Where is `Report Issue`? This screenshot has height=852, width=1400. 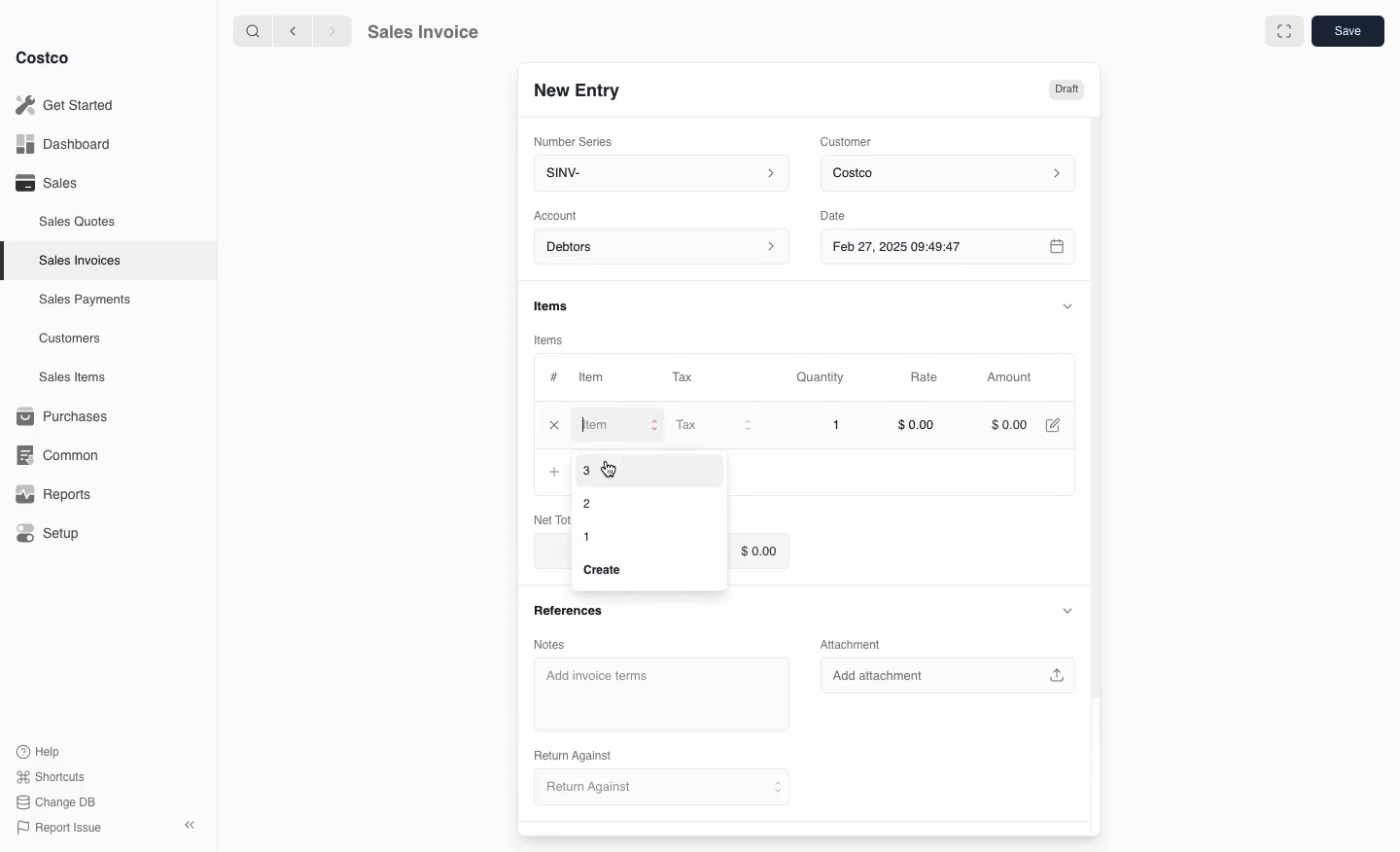 Report Issue is located at coordinates (59, 828).